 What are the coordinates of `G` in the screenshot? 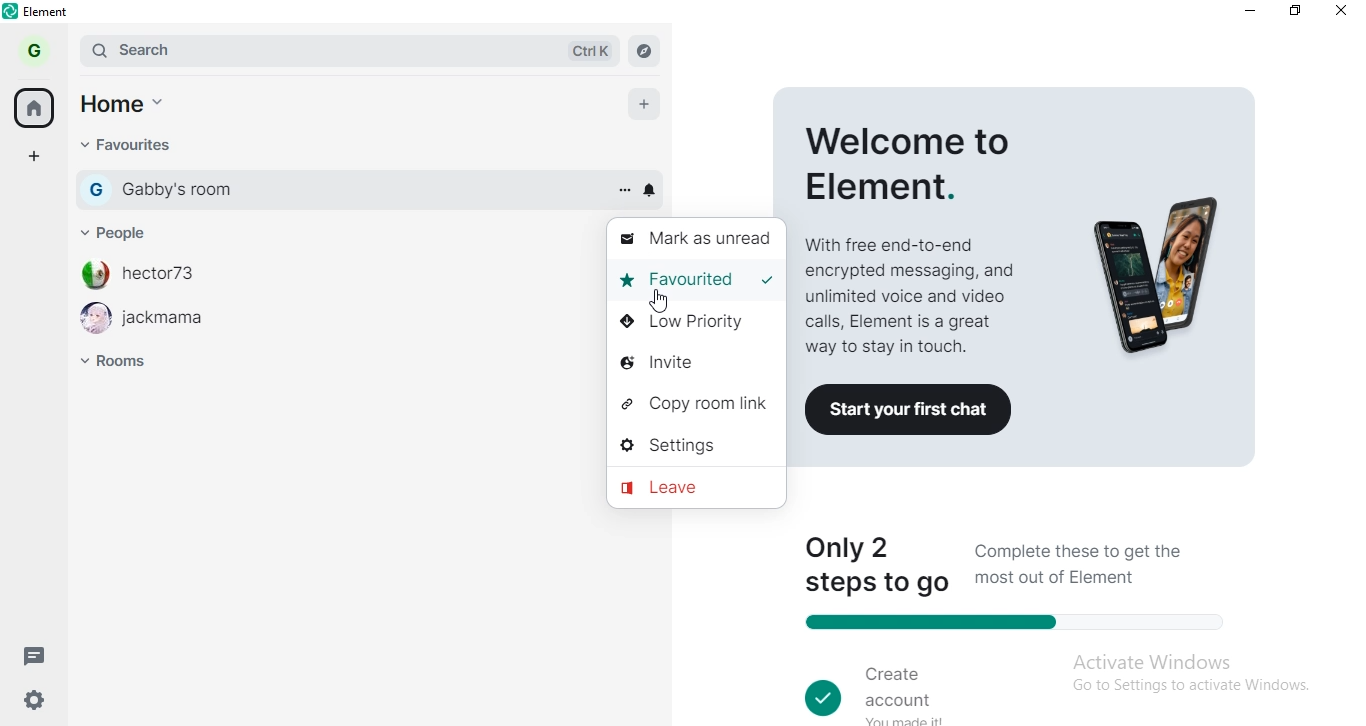 It's located at (95, 188).